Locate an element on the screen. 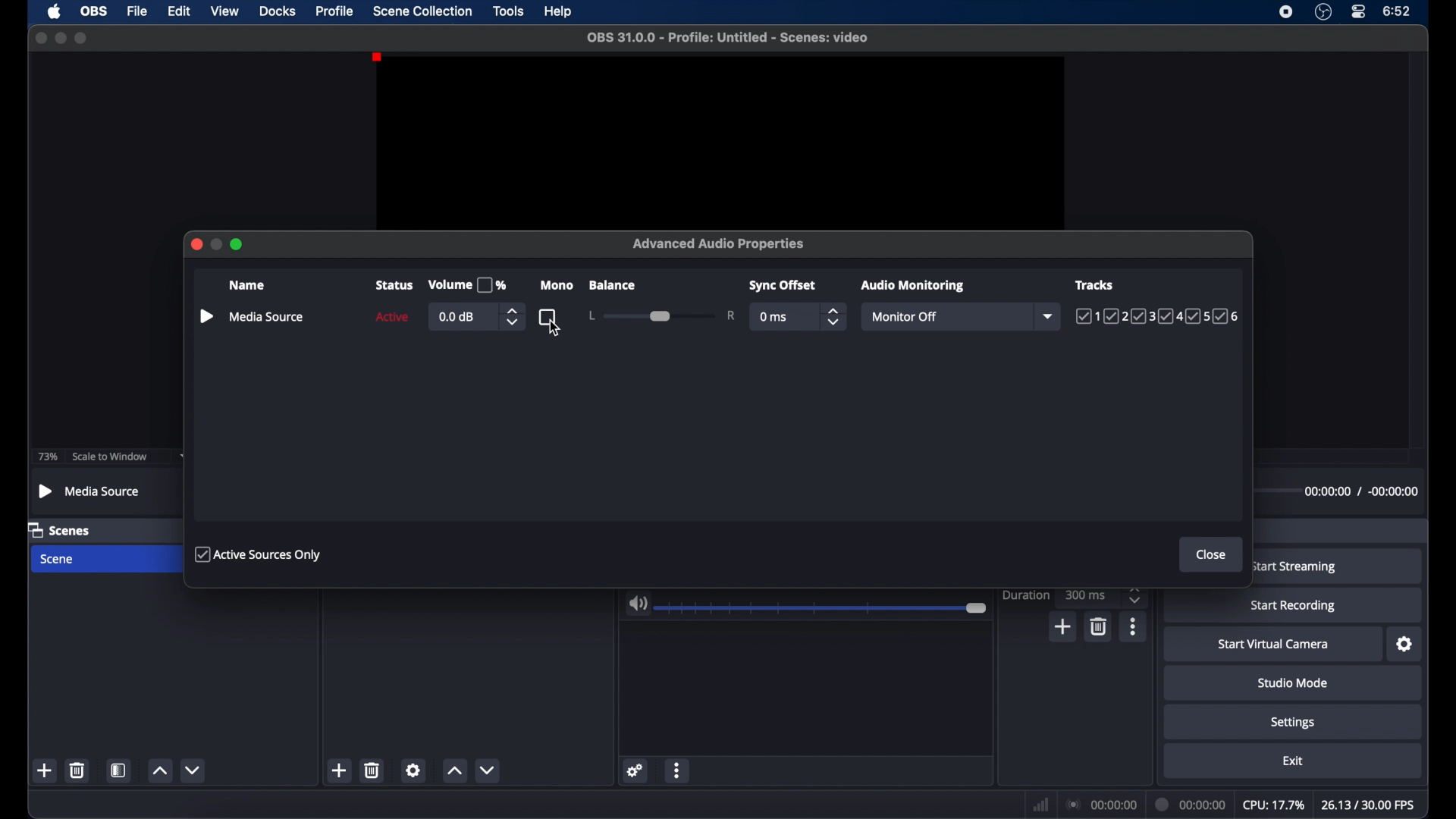  exit is located at coordinates (1294, 761).